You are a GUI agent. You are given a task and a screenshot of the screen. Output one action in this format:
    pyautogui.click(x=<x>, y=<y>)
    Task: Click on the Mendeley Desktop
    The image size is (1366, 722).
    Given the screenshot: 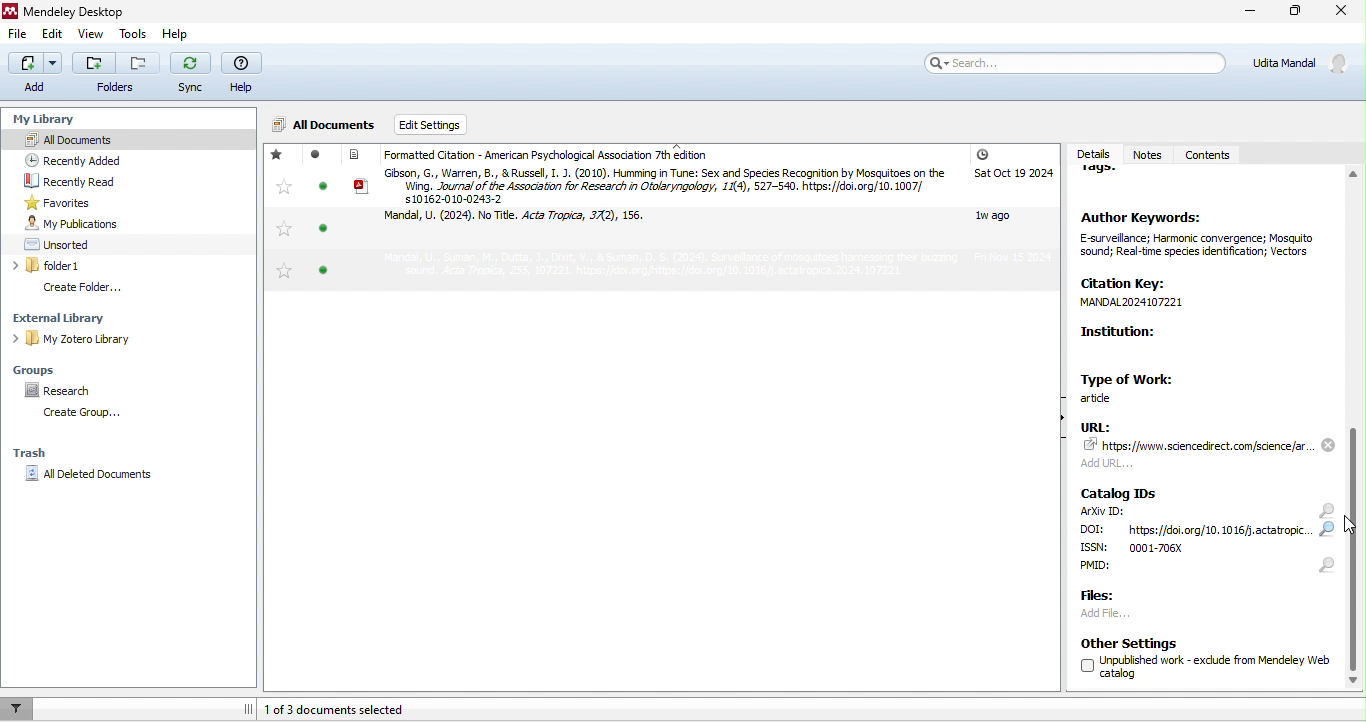 What is the action you would take?
    pyautogui.click(x=68, y=12)
    